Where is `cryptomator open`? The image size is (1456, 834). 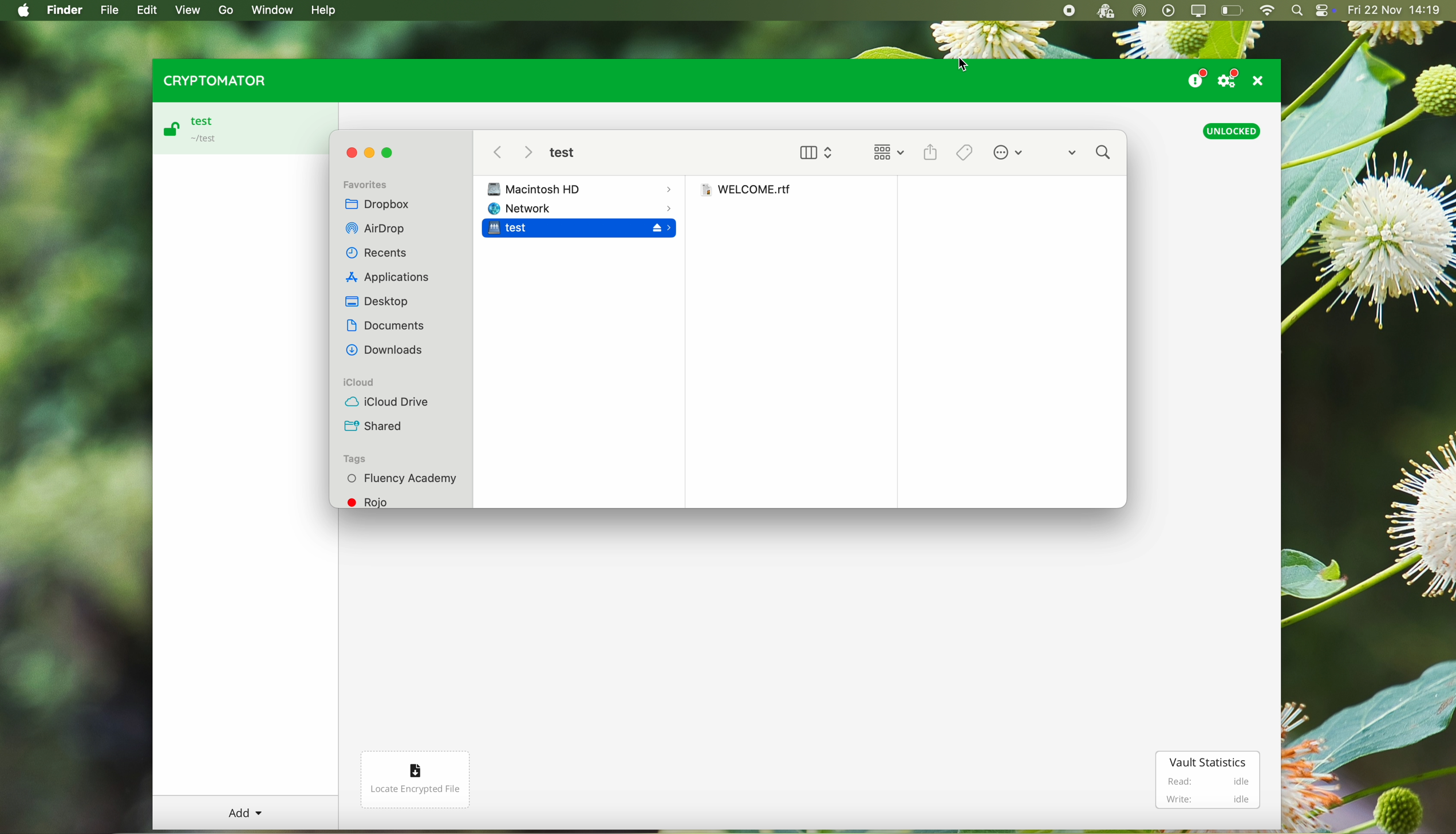 cryptomator open is located at coordinates (1103, 11).